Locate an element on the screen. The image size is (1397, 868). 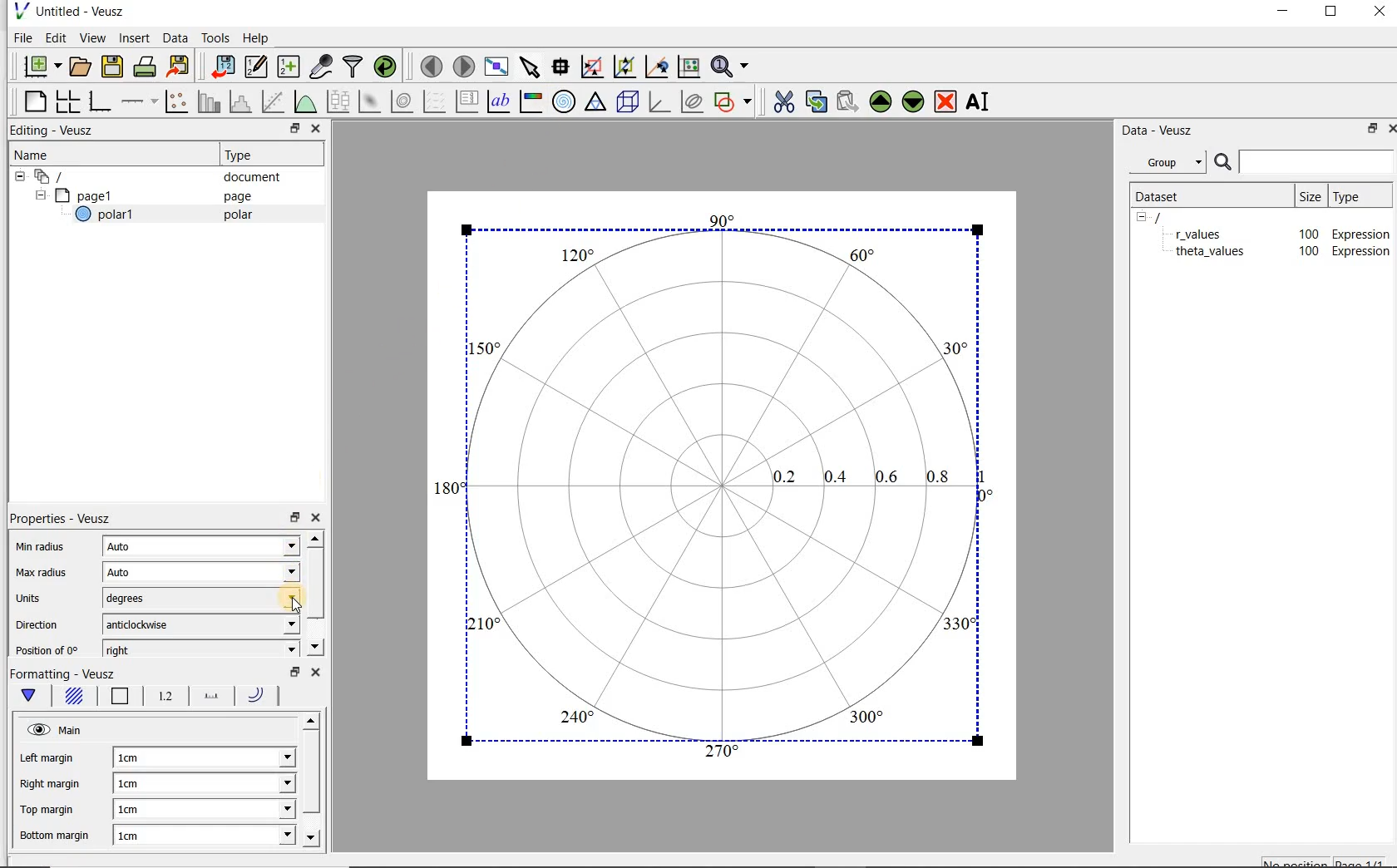
copy the selected widget is located at coordinates (817, 101).